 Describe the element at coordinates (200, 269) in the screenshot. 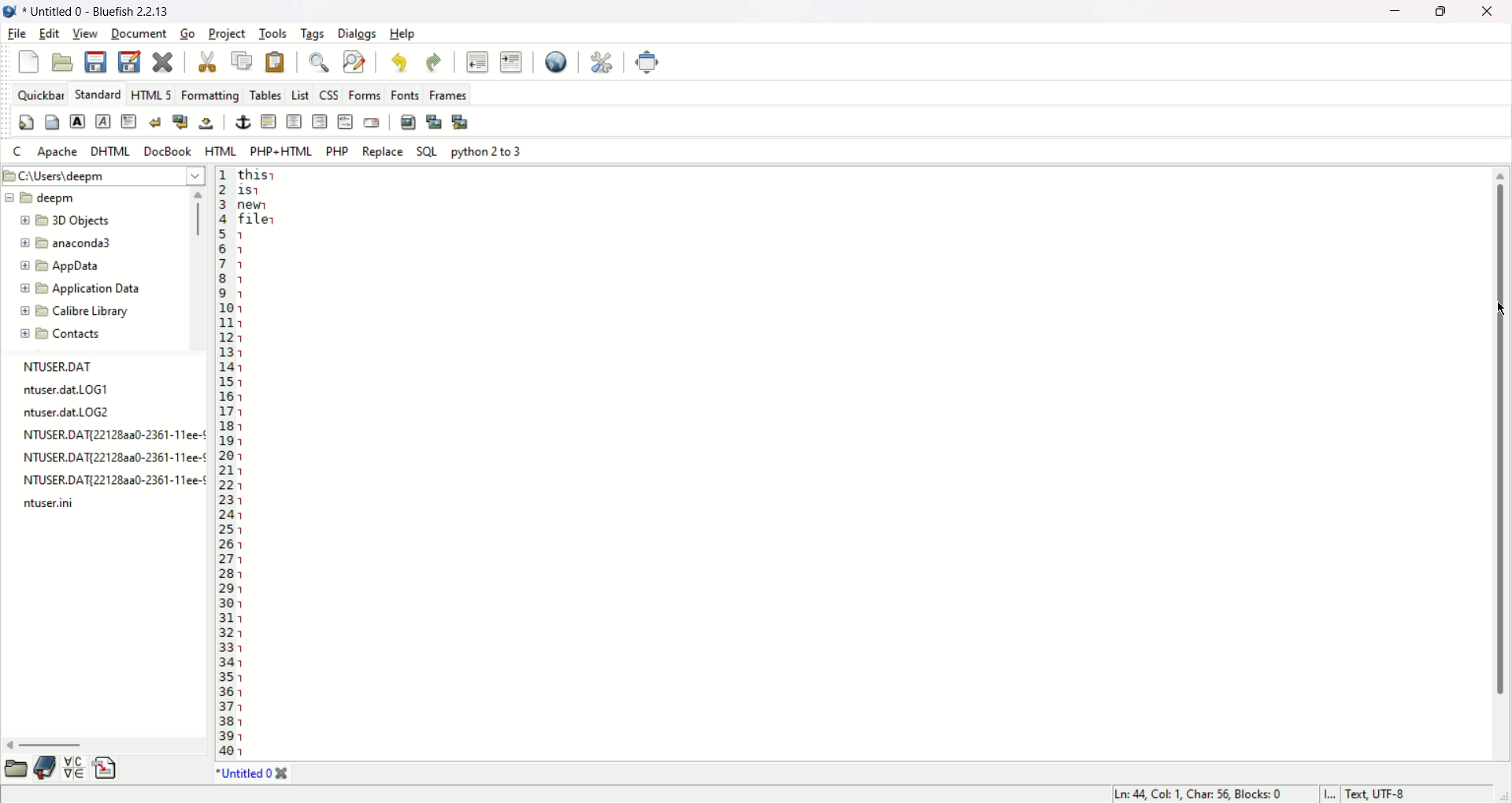

I see `scroll bar` at that location.